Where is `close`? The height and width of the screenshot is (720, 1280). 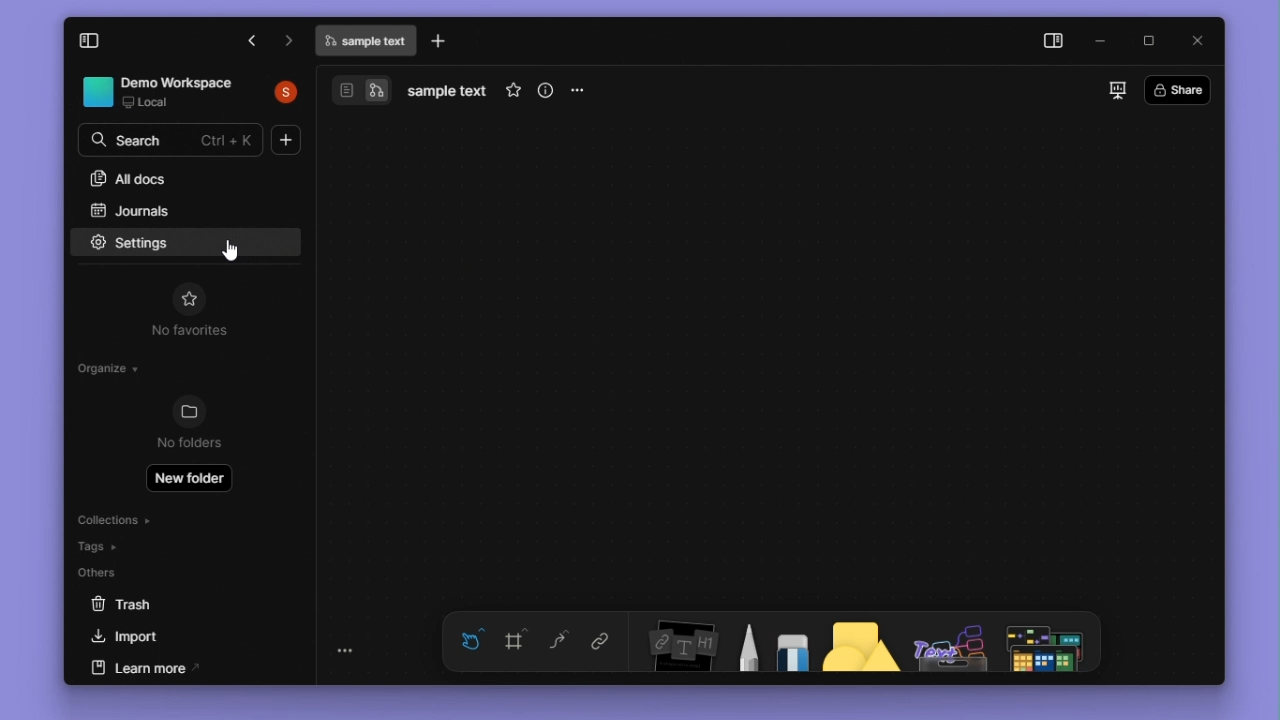 close is located at coordinates (1198, 42).